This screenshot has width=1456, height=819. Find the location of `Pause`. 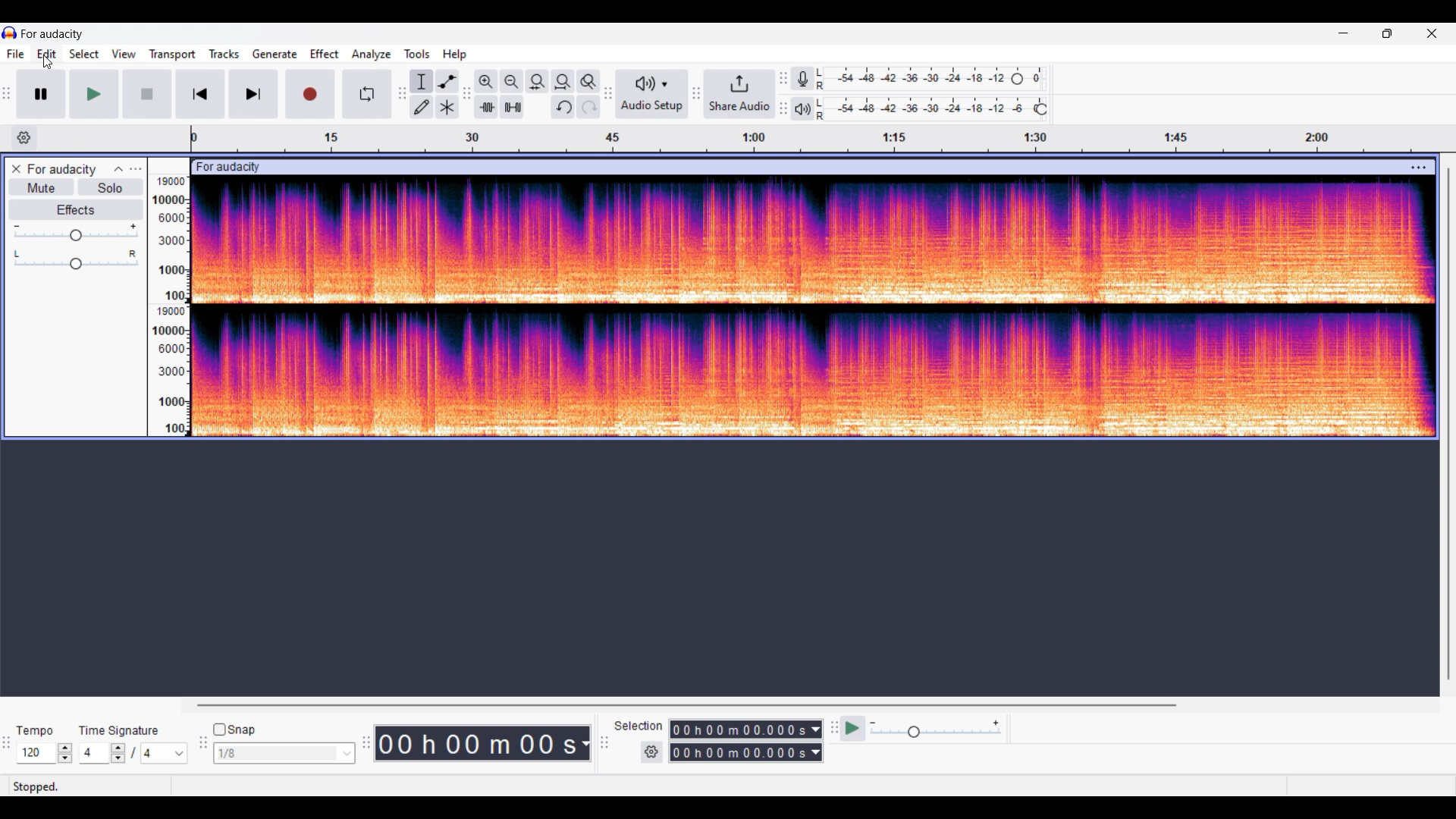

Pause is located at coordinates (42, 94).